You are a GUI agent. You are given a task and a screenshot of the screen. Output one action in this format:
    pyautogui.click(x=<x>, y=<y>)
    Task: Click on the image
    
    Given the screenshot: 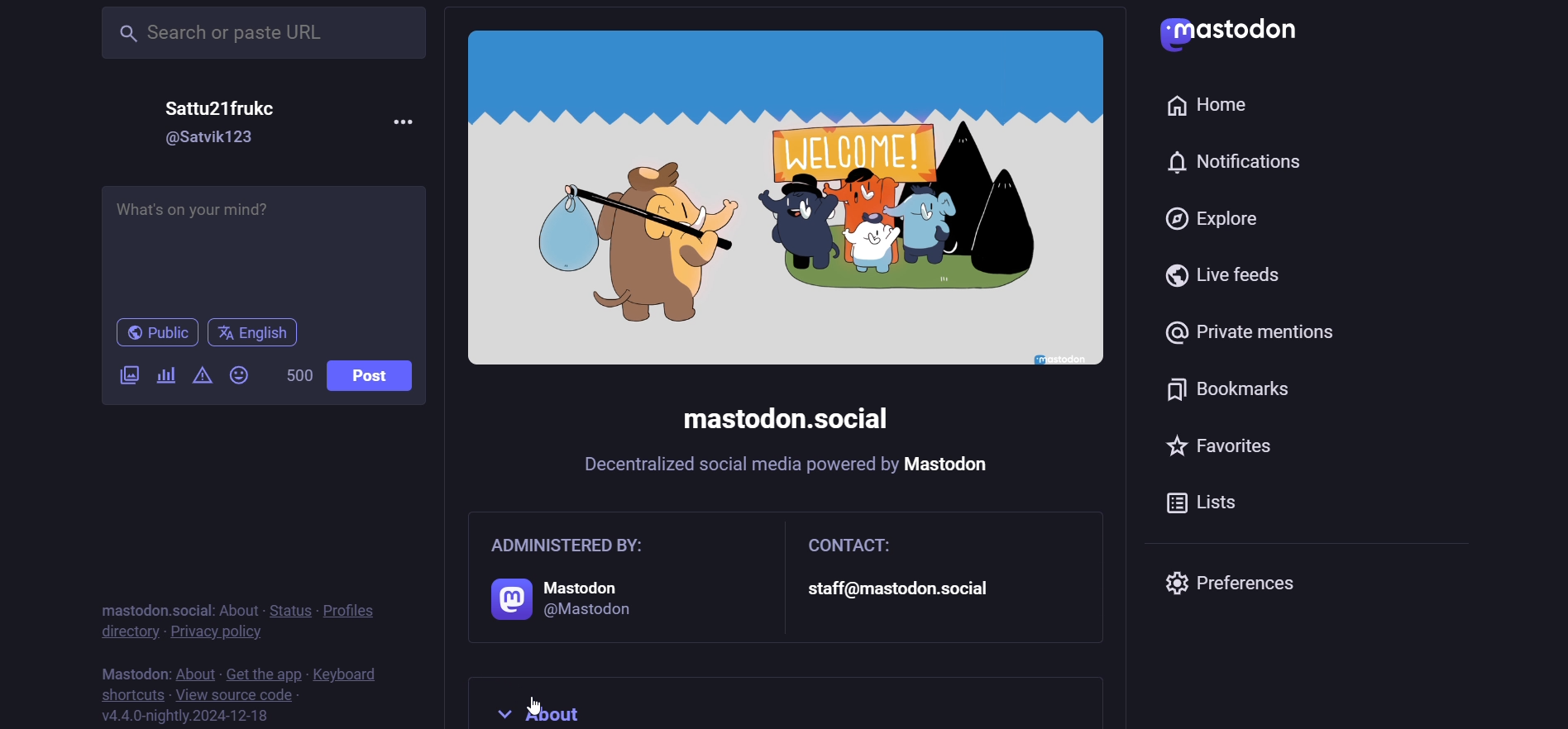 What is the action you would take?
    pyautogui.click(x=785, y=199)
    